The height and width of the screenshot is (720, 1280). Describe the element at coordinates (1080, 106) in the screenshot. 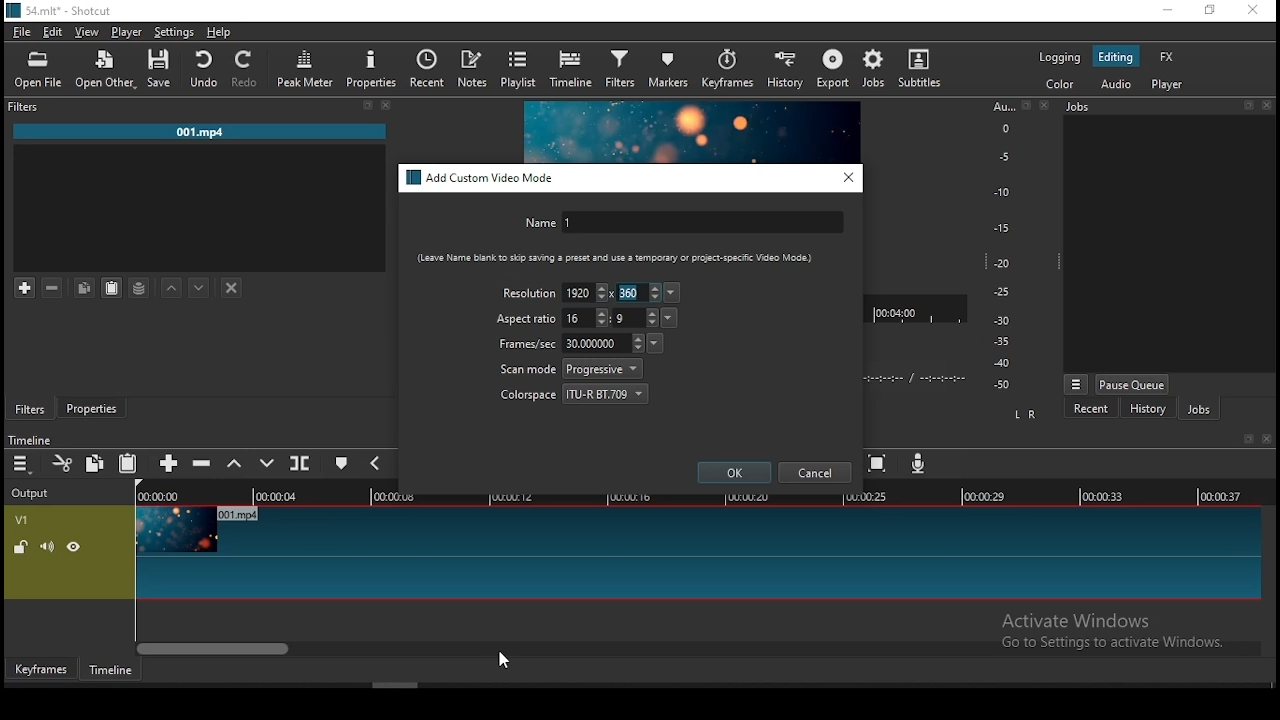

I see `jobs` at that location.